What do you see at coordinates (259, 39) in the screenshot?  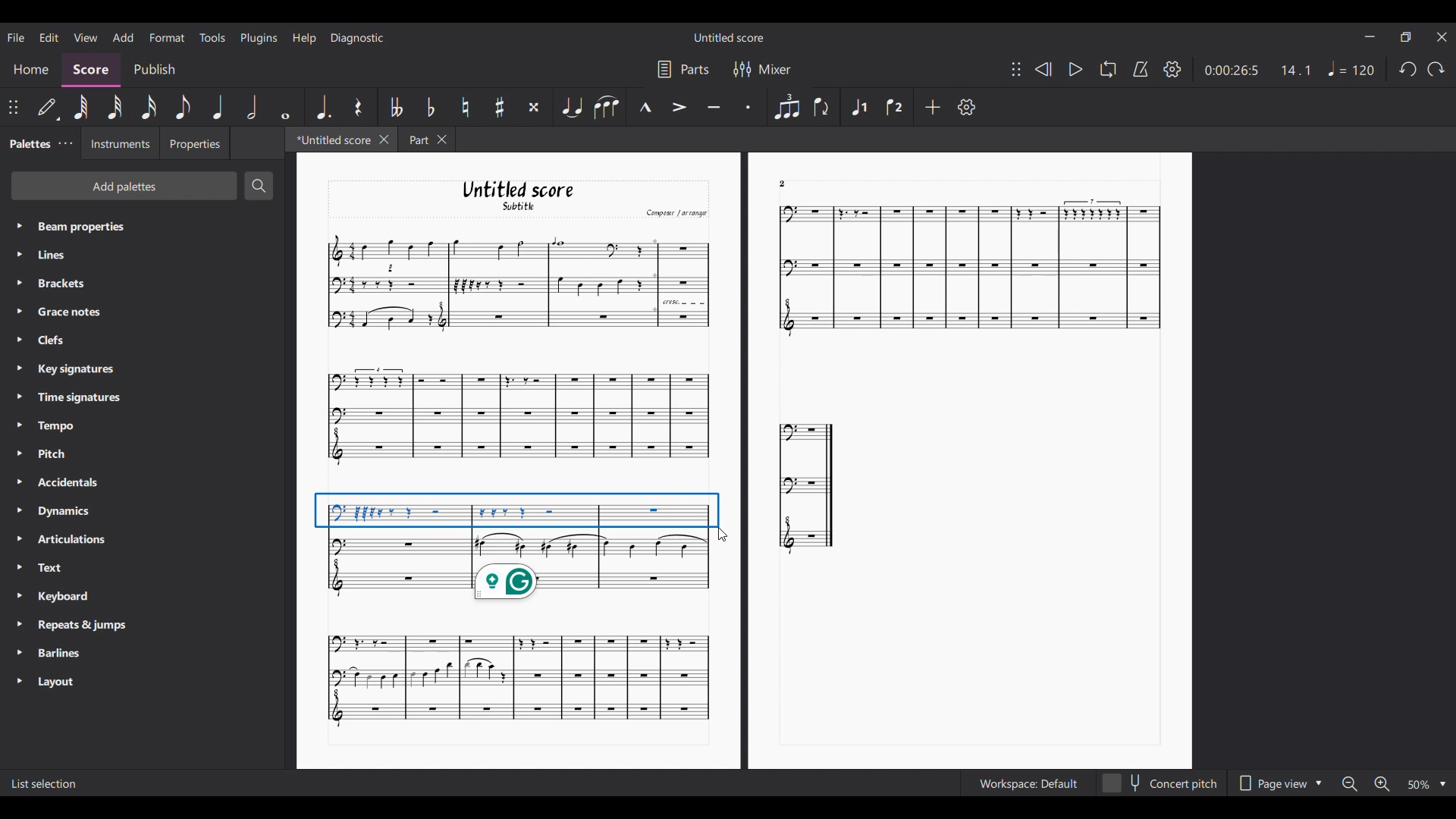 I see `Plugins menu` at bounding box center [259, 39].